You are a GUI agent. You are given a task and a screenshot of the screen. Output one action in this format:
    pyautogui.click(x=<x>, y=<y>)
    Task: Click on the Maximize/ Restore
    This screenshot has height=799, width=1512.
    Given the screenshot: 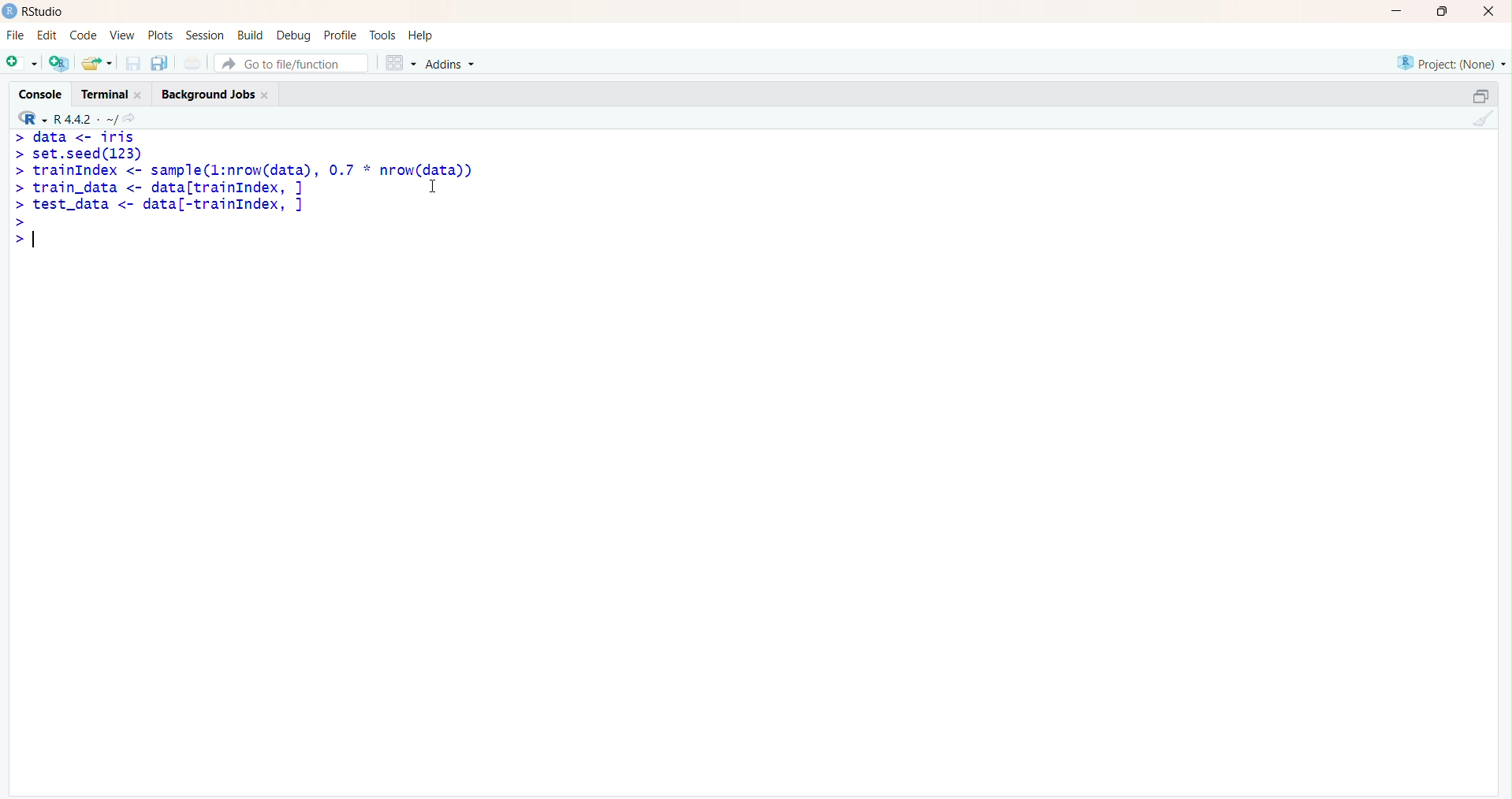 What is the action you would take?
    pyautogui.click(x=1478, y=95)
    